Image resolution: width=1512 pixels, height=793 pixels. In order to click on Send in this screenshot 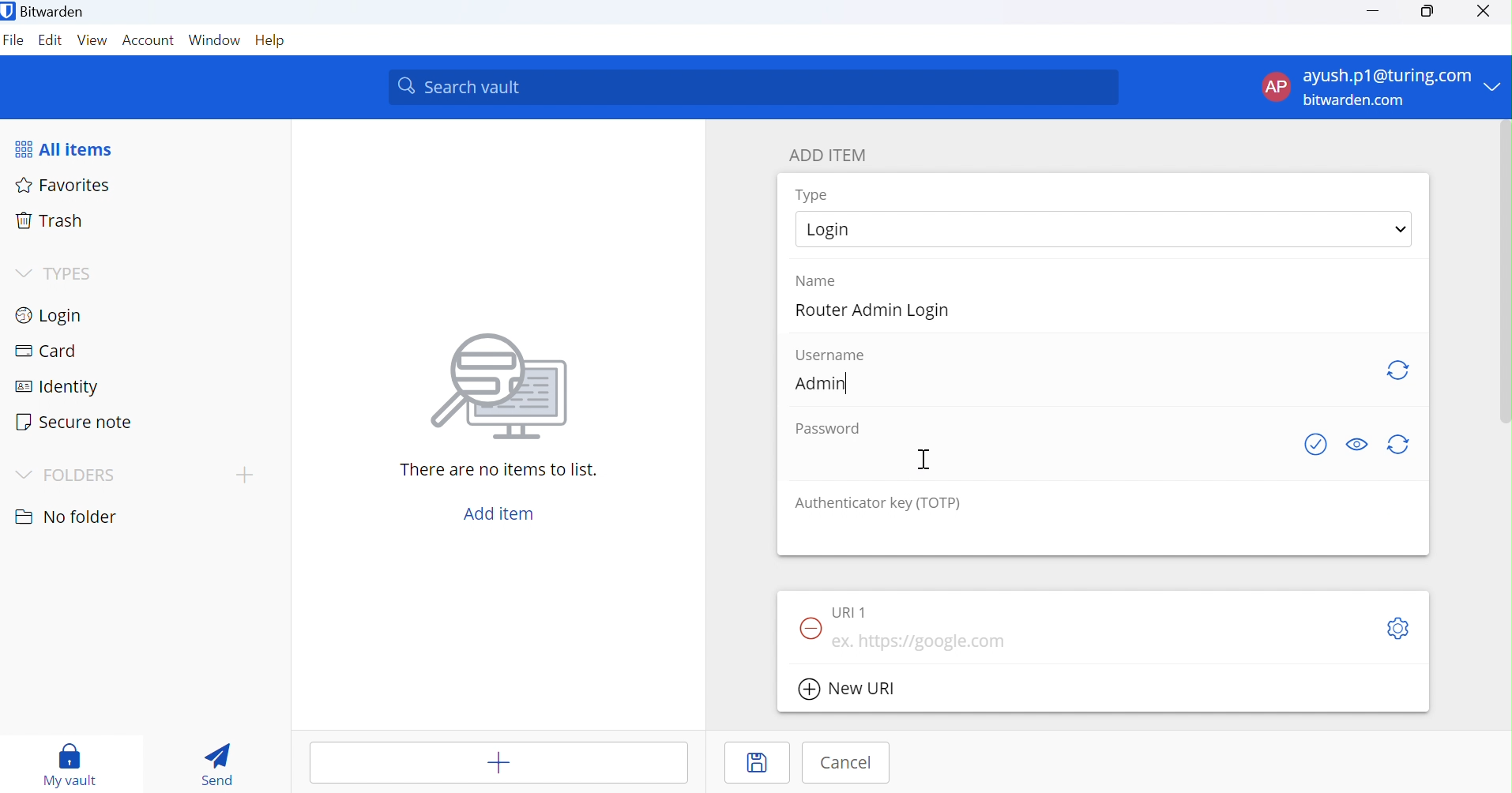, I will do `click(219, 765)`.